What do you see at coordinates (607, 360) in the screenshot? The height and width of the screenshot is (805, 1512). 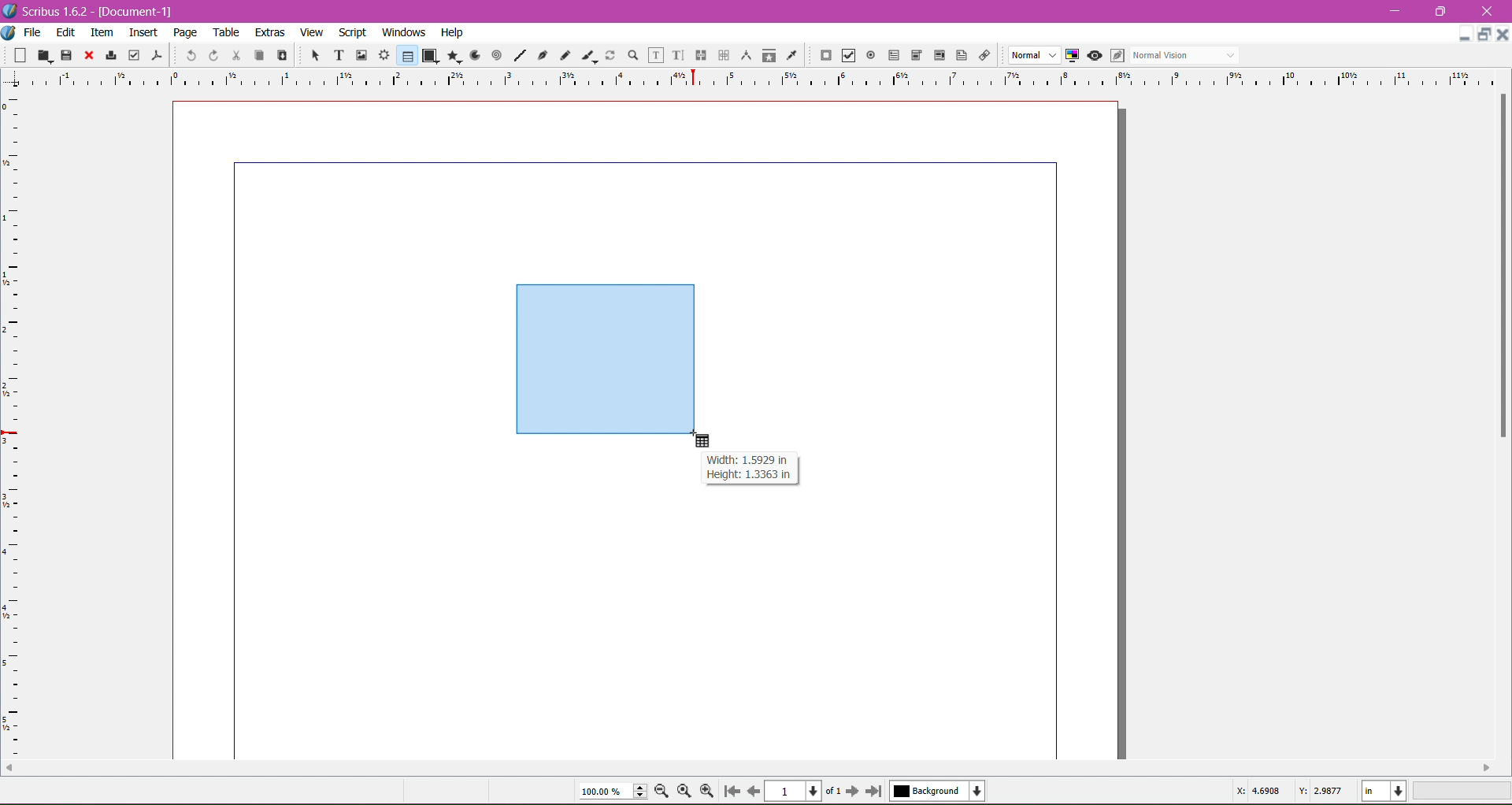 I see `Table drag area` at bounding box center [607, 360].